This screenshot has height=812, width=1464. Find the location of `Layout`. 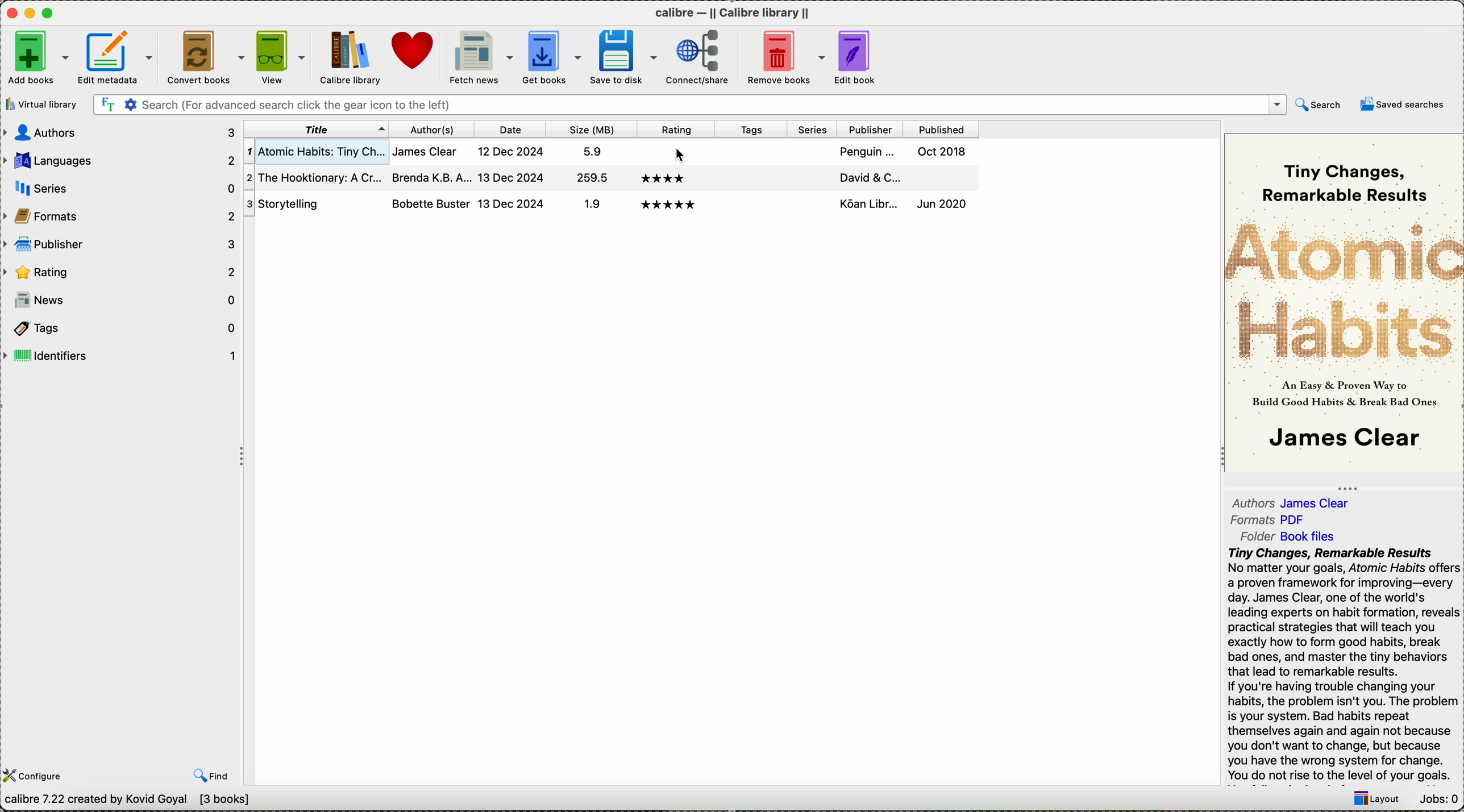

Layout is located at coordinates (1371, 801).